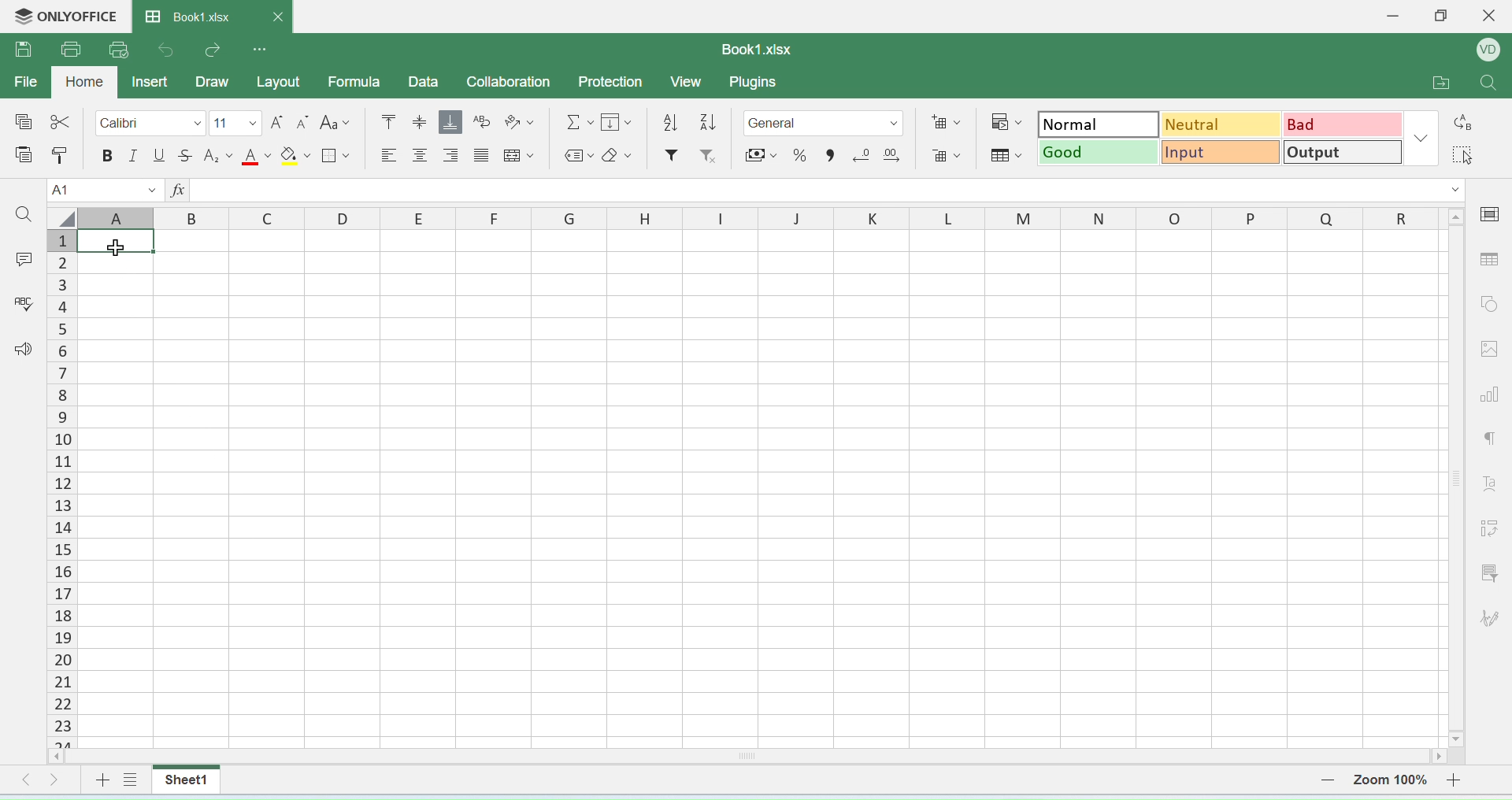 The width and height of the screenshot is (1512, 800). I want to click on close, so click(1492, 15).